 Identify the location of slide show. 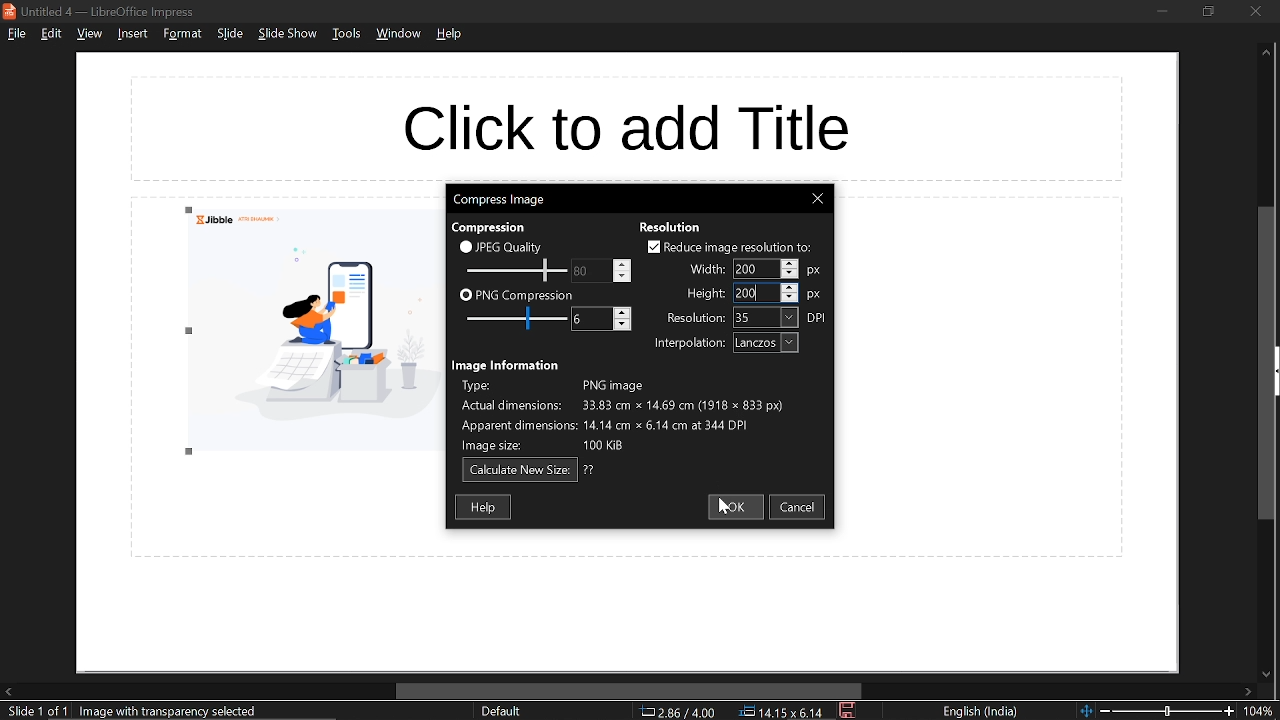
(288, 34).